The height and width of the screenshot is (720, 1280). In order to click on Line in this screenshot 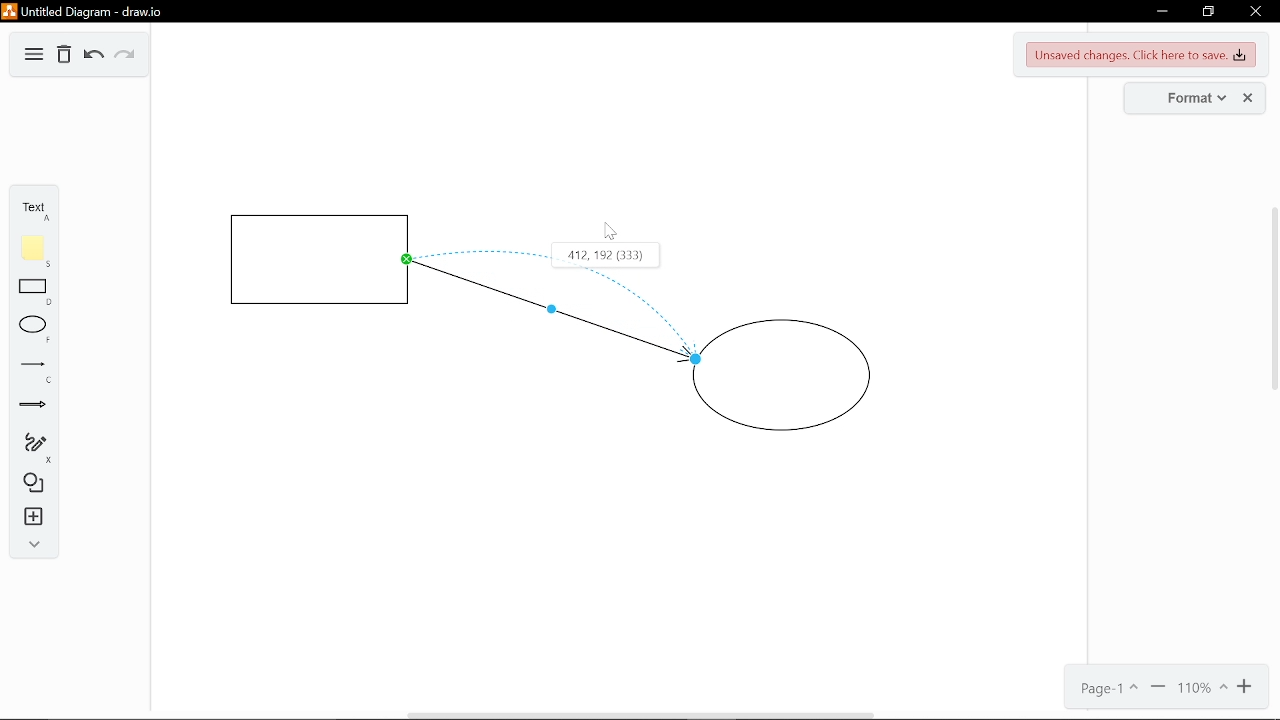, I will do `click(30, 371)`.